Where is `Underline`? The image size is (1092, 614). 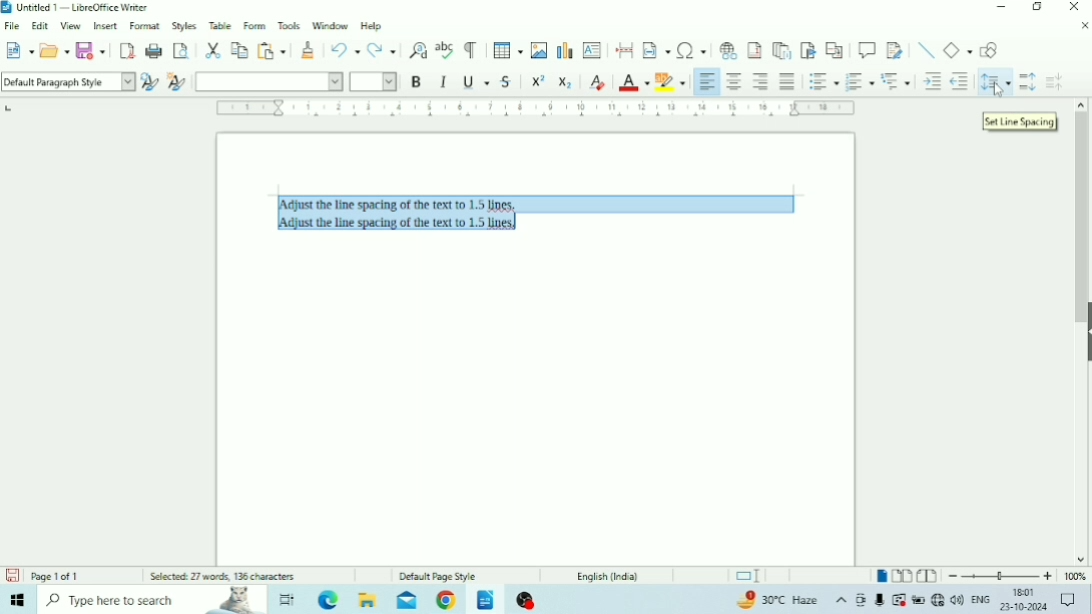 Underline is located at coordinates (475, 81).